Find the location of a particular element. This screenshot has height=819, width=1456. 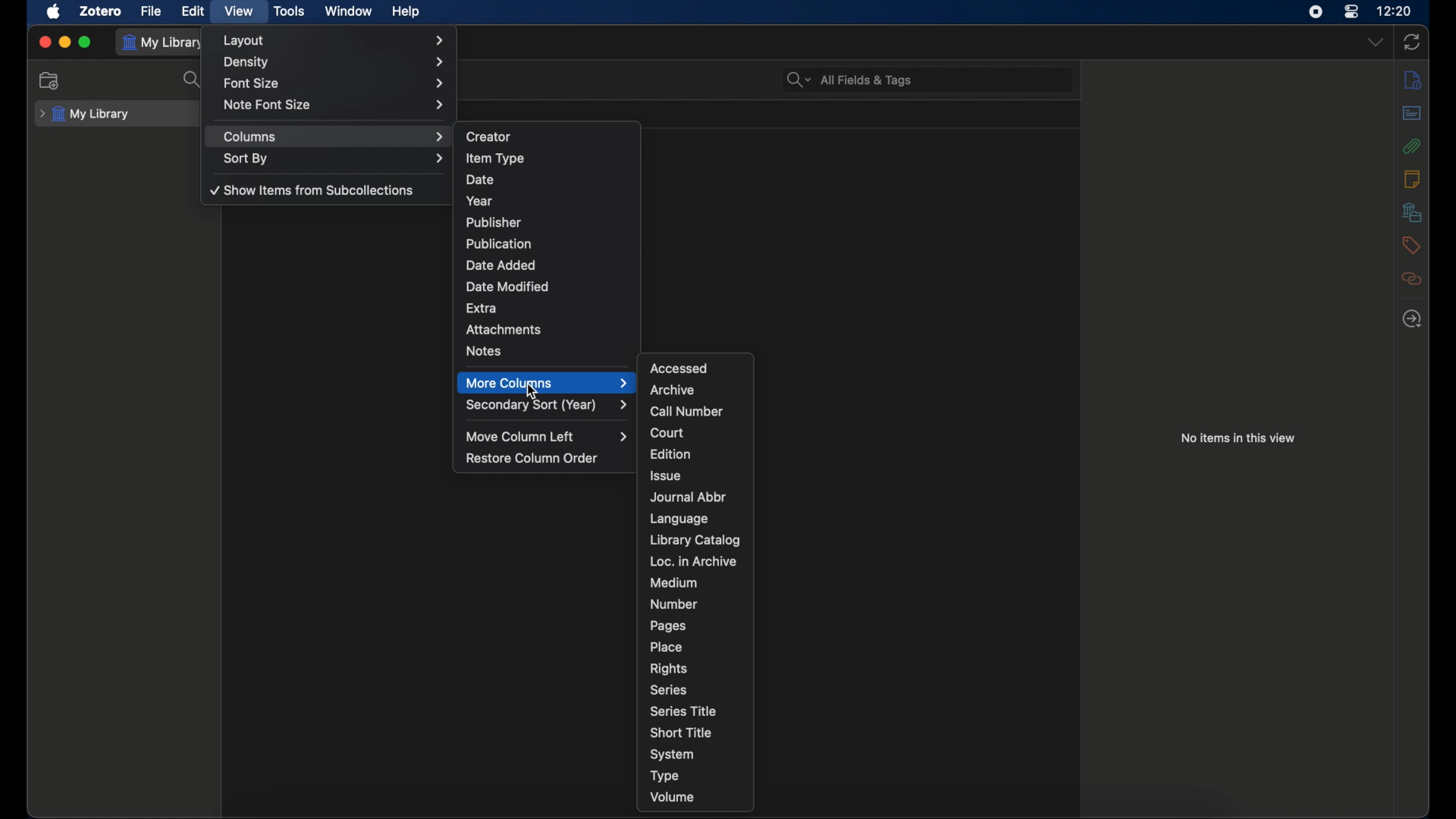

notes is located at coordinates (483, 351).